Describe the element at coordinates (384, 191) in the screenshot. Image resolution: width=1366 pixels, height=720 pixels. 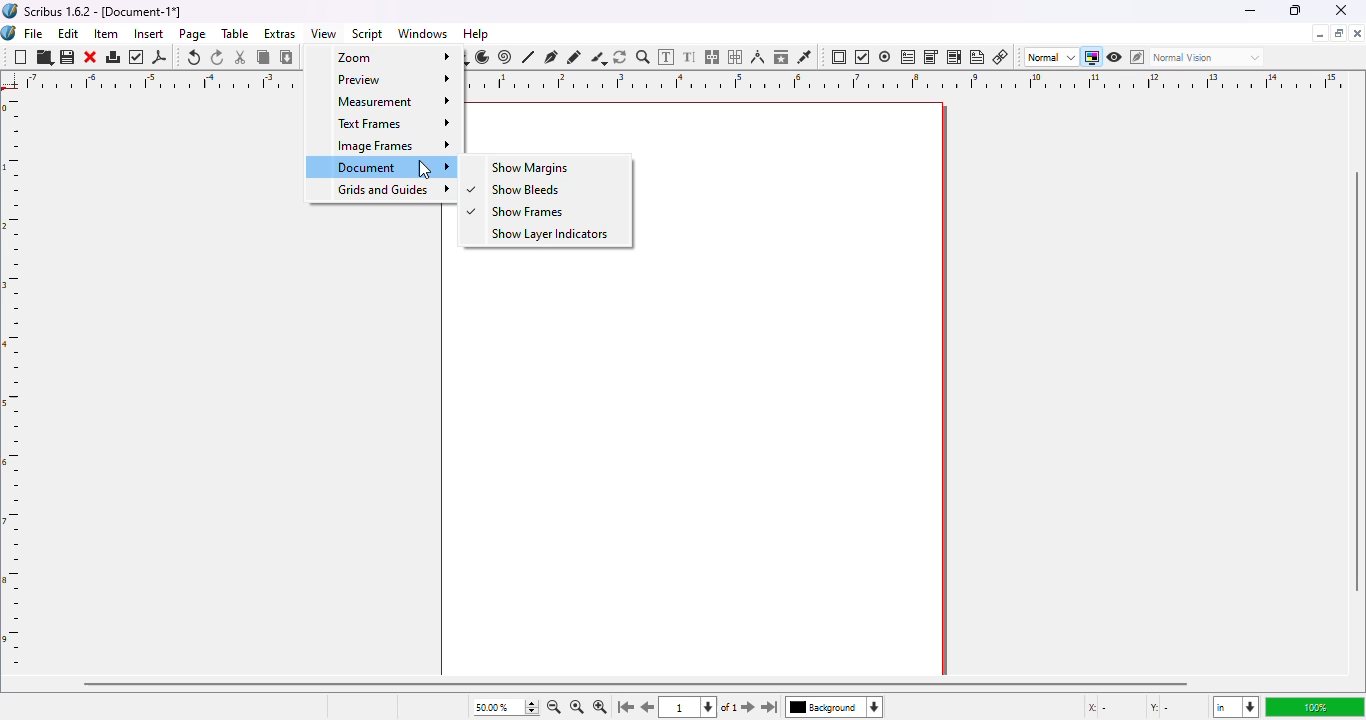
I see `grids and guides` at that location.